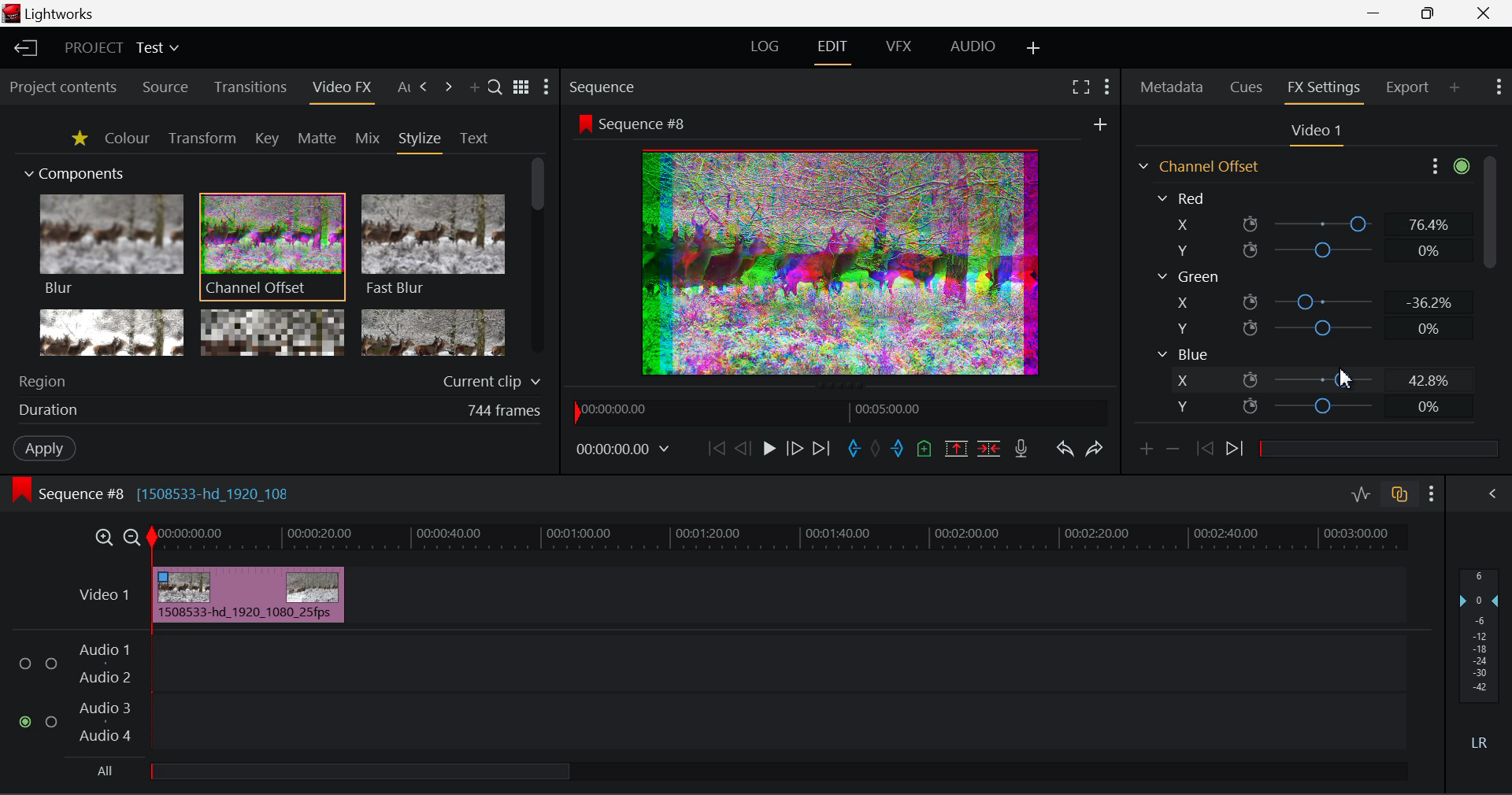 This screenshot has width=1512, height=795. What do you see at coordinates (925, 447) in the screenshot?
I see `Mark Cue` at bounding box center [925, 447].